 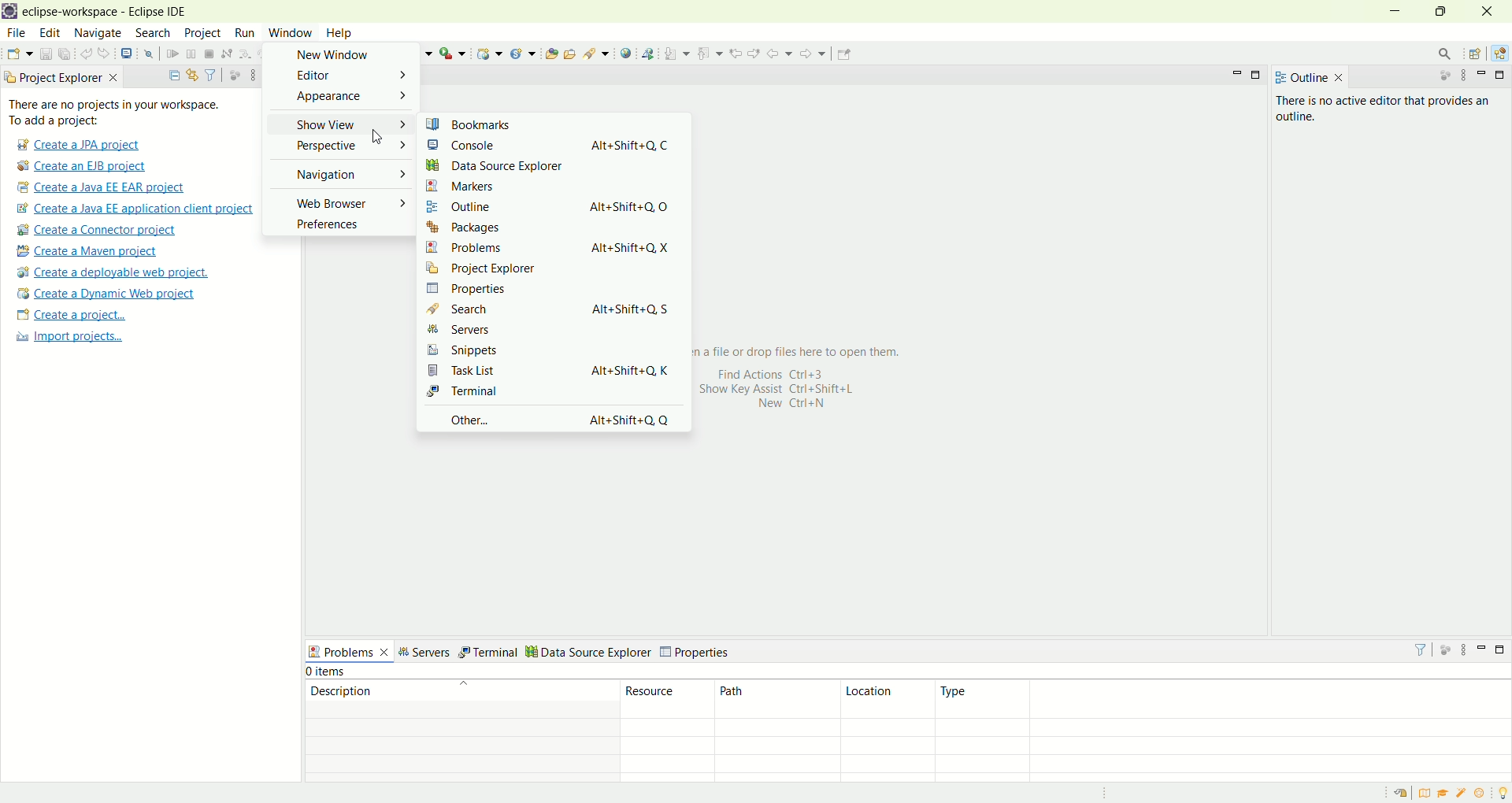 What do you see at coordinates (290, 33) in the screenshot?
I see `window` at bounding box center [290, 33].